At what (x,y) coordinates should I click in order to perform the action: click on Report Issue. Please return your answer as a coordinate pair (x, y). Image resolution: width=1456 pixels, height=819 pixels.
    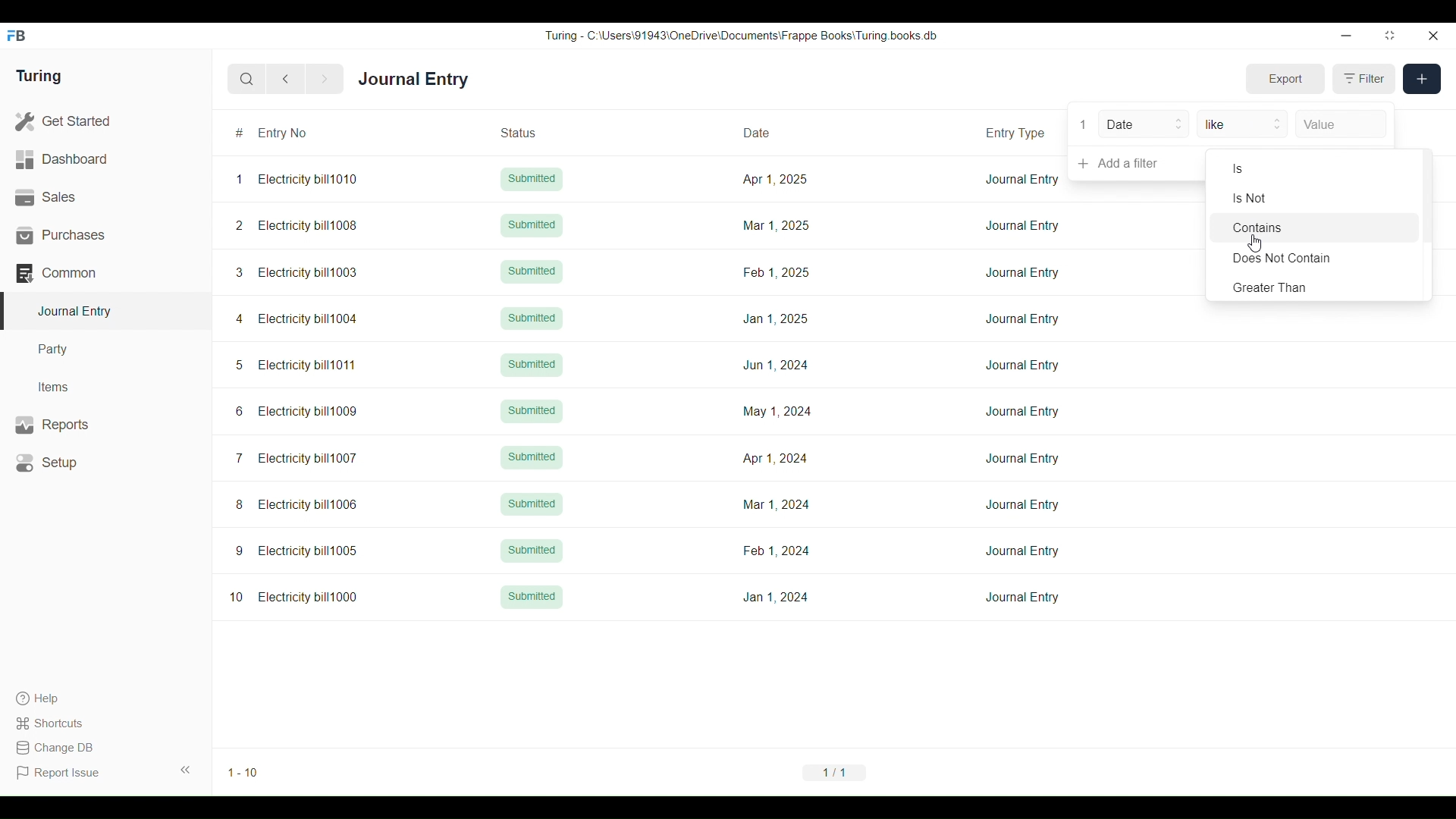
    Looking at the image, I should click on (58, 773).